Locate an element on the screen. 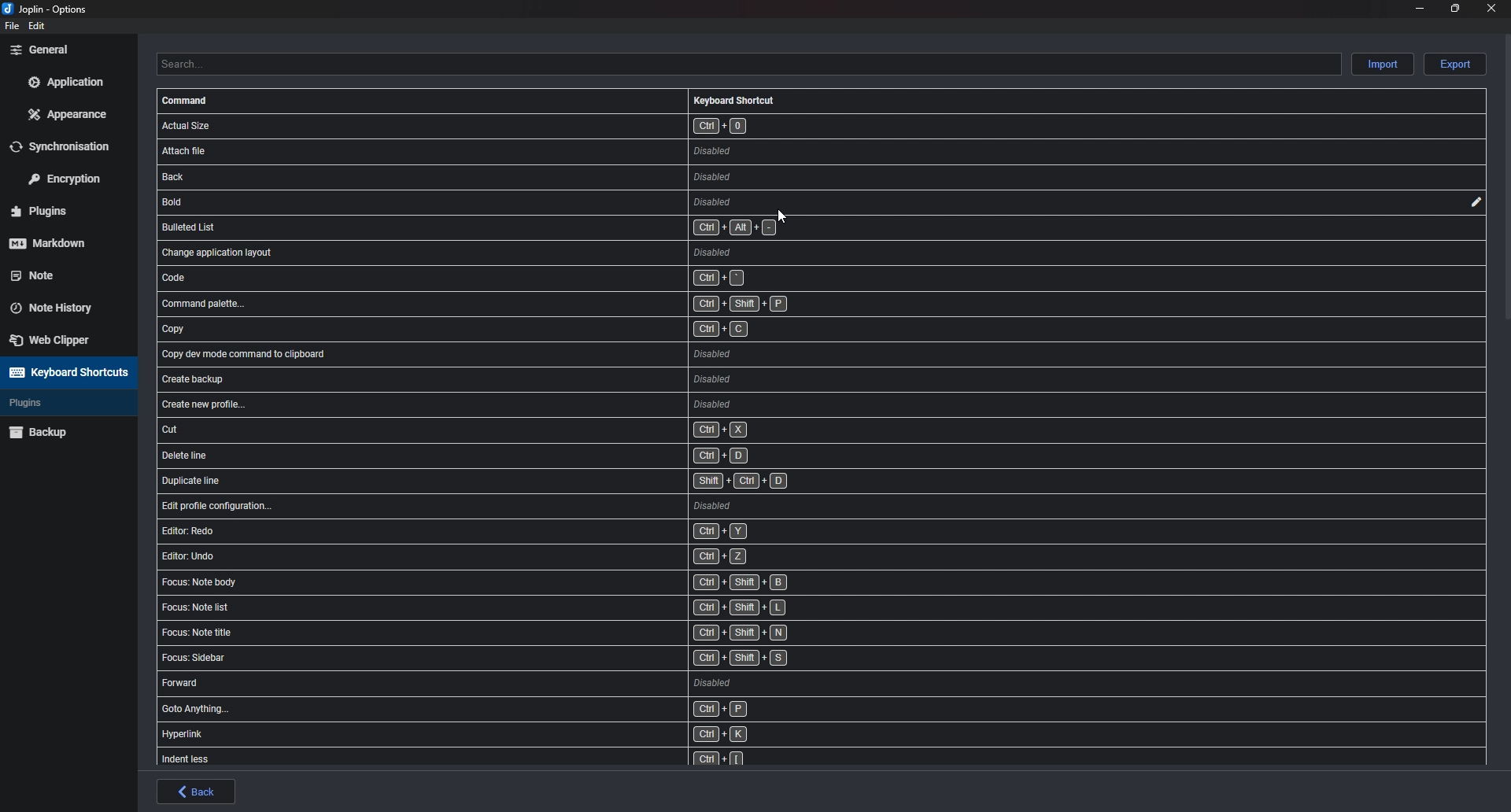  minimize is located at coordinates (1420, 7).